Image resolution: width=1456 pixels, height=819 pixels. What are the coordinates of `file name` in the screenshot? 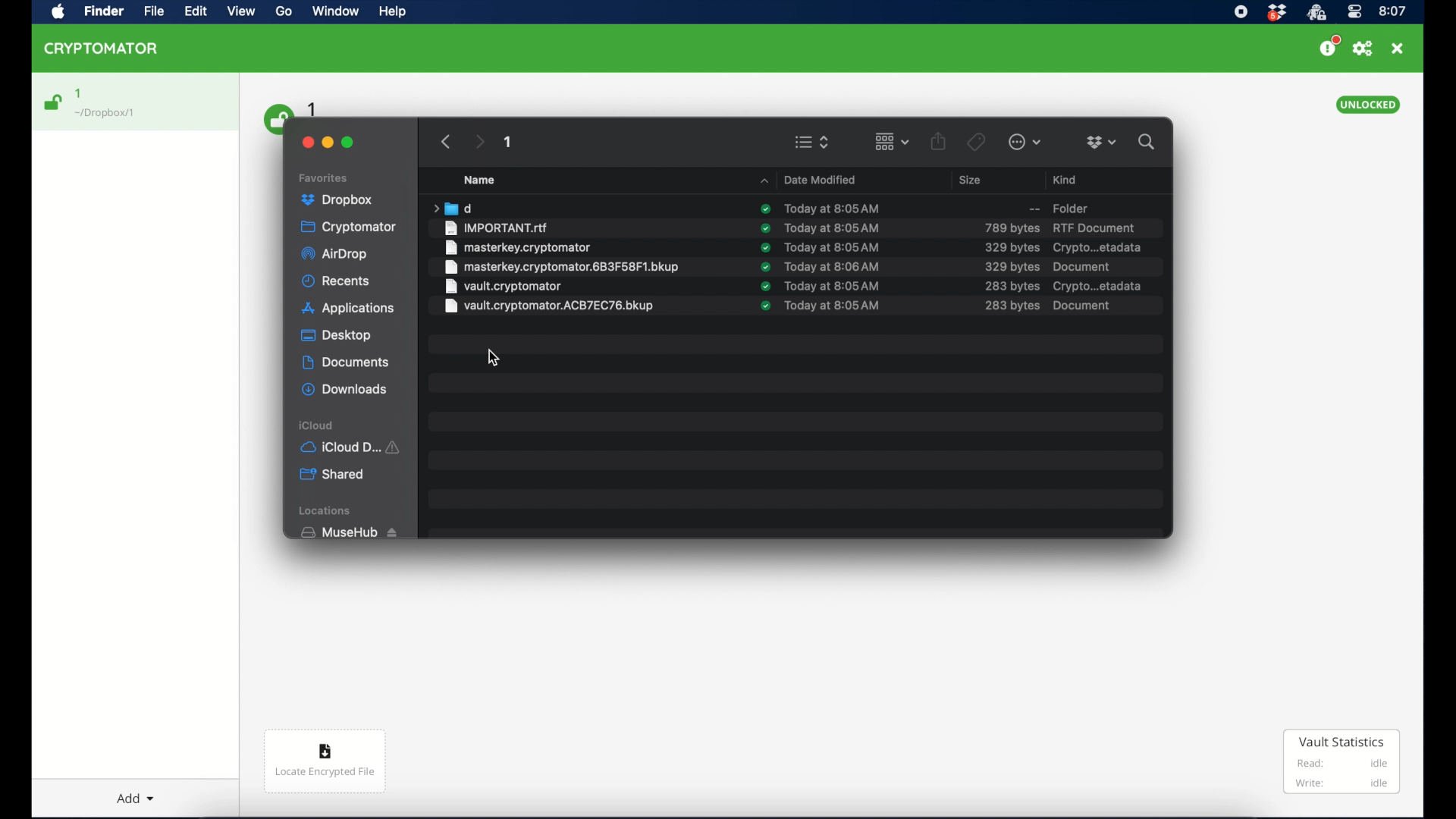 It's located at (518, 247).